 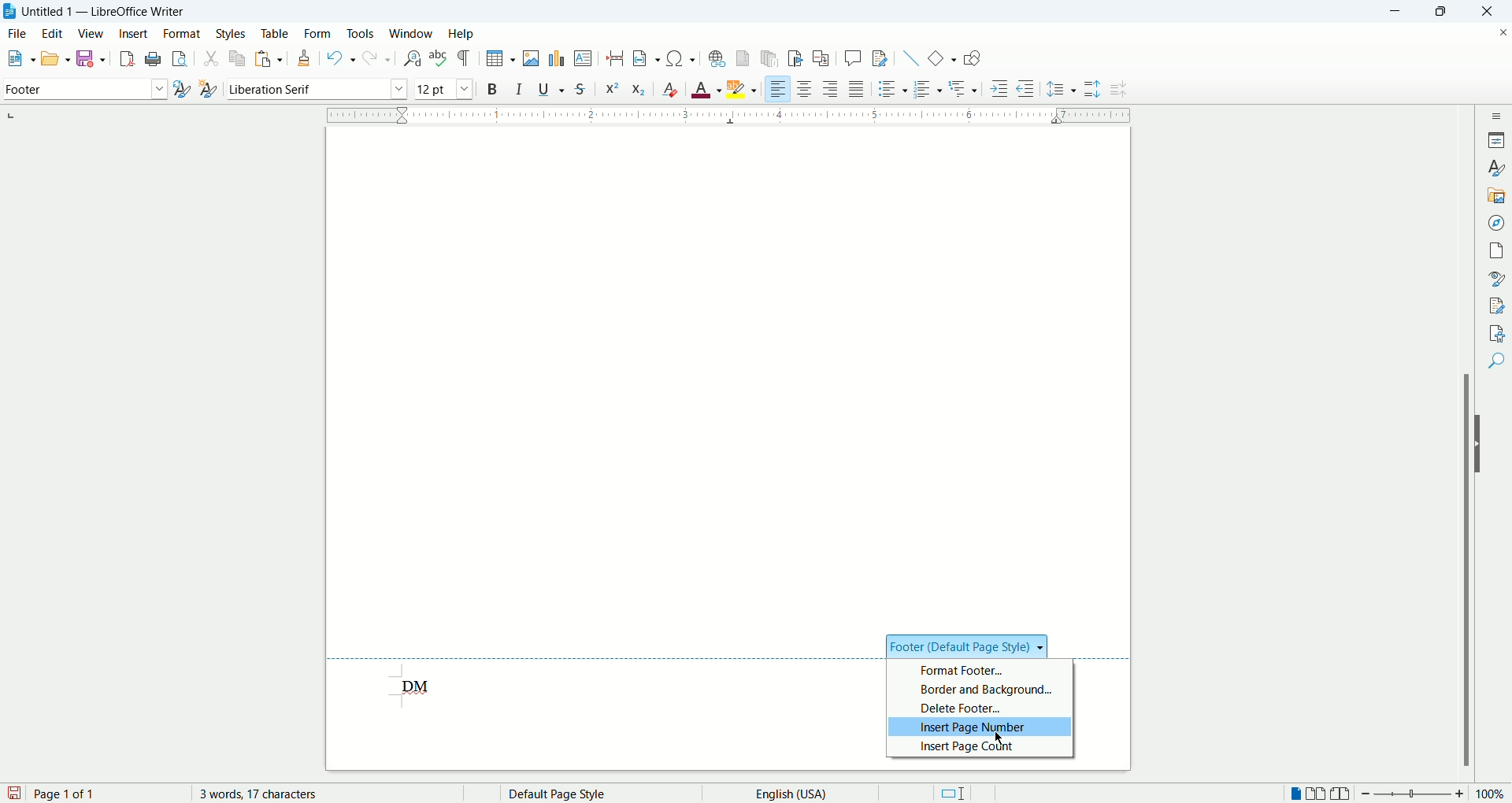 What do you see at coordinates (272, 794) in the screenshot?
I see `word count` at bounding box center [272, 794].